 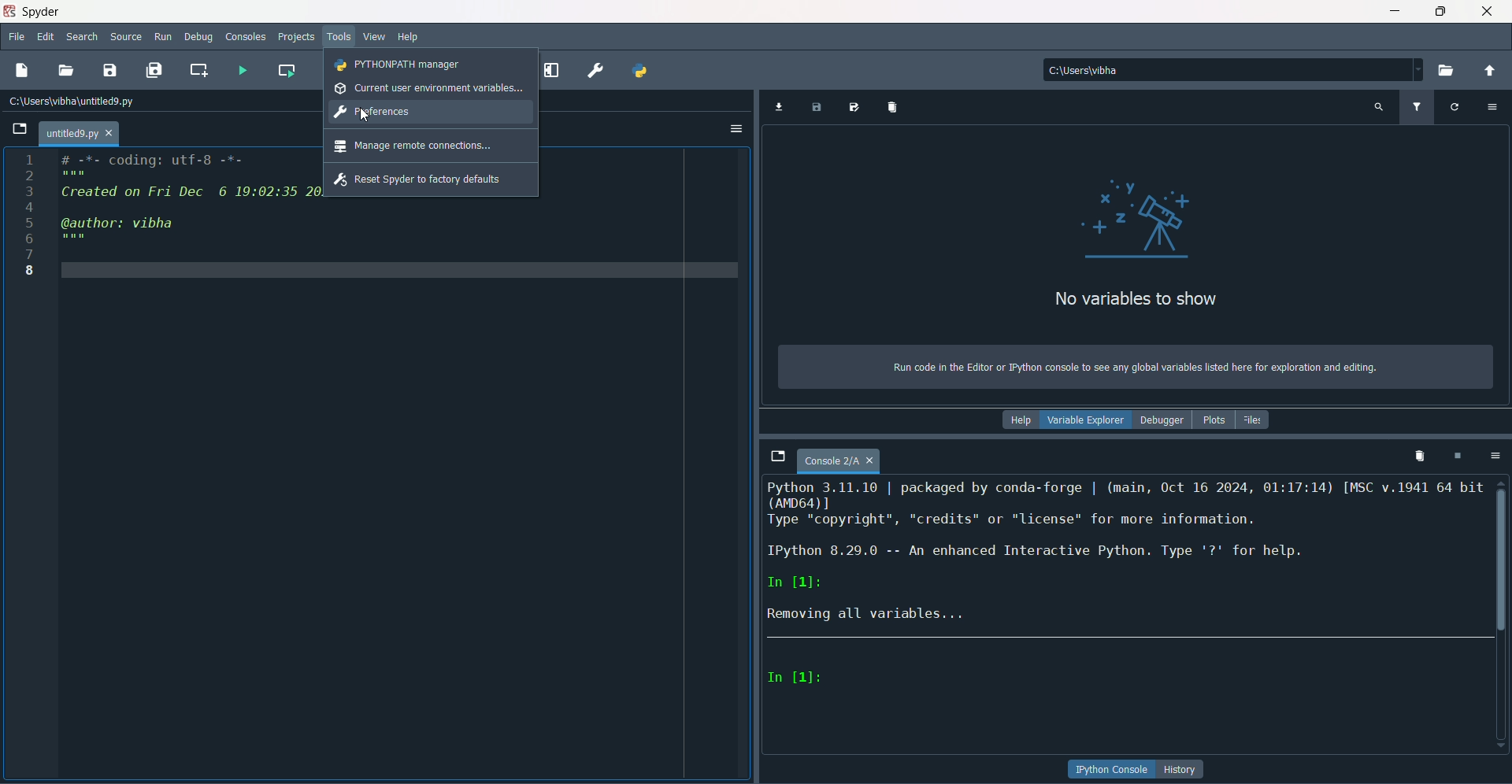 I want to click on file, so click(x=17, y=38).